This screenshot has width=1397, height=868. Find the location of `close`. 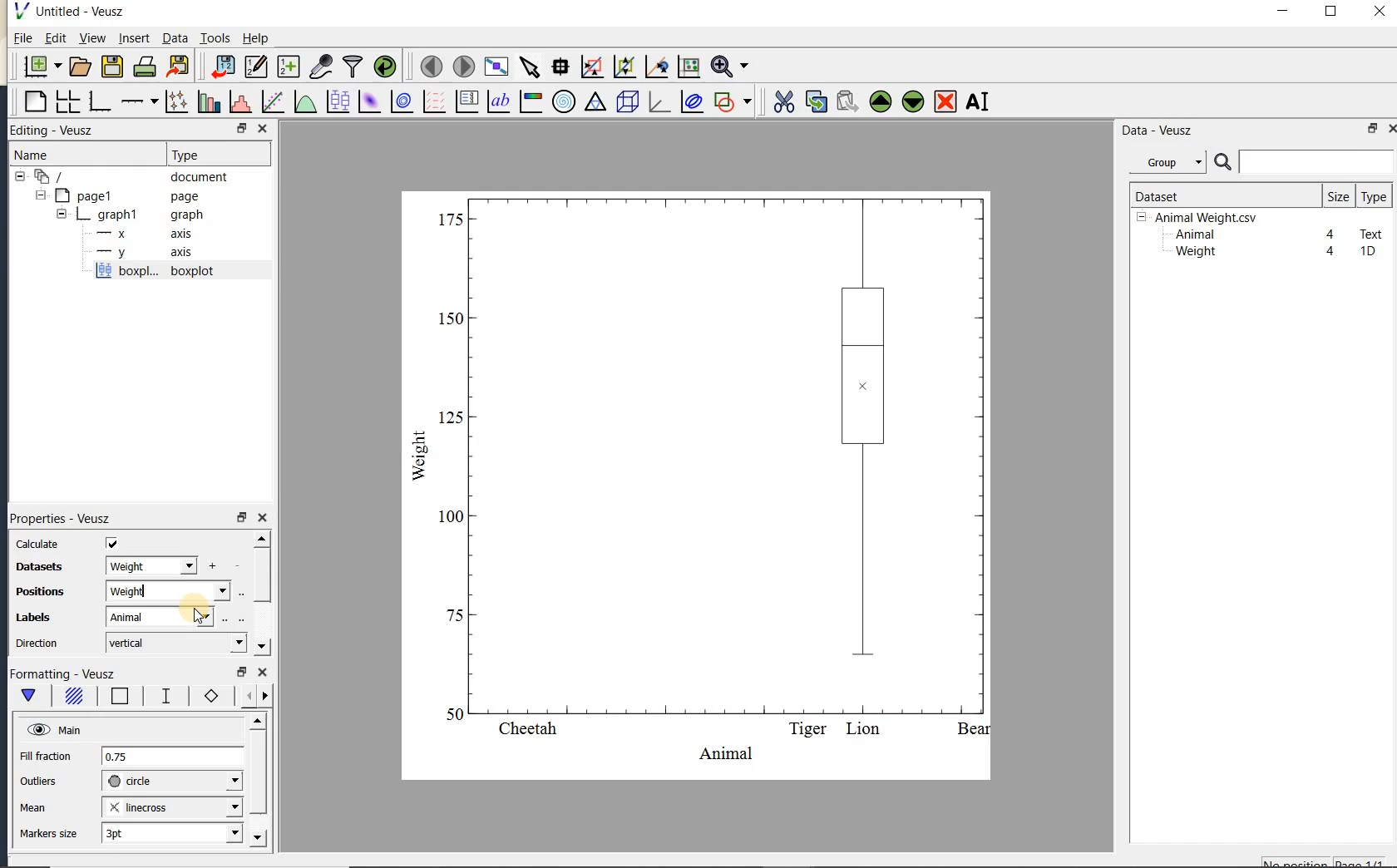

close is located at coordinates (1380, 12).